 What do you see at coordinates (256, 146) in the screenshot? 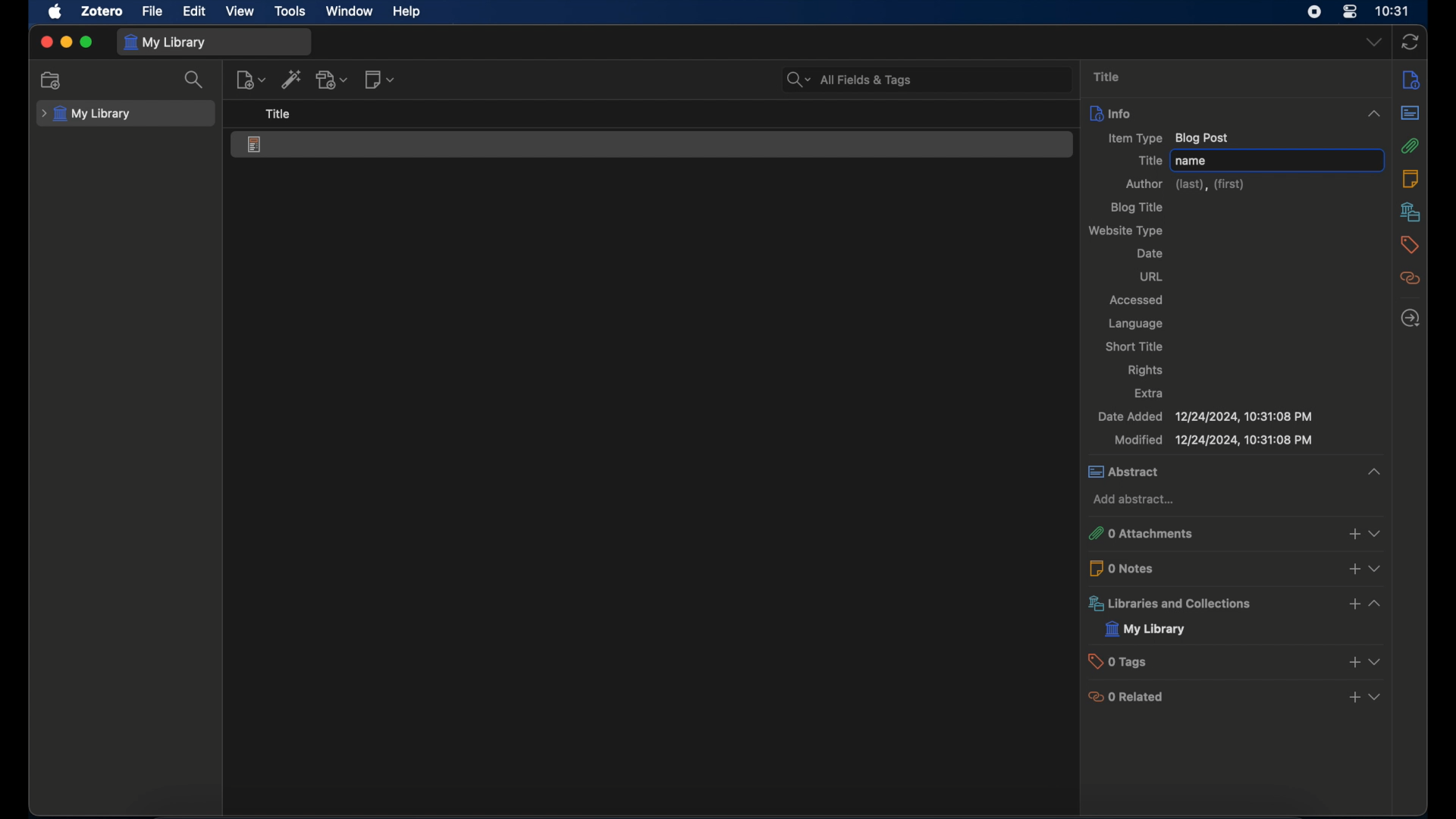
I see `blogpost` at bounding box center [256, 146].